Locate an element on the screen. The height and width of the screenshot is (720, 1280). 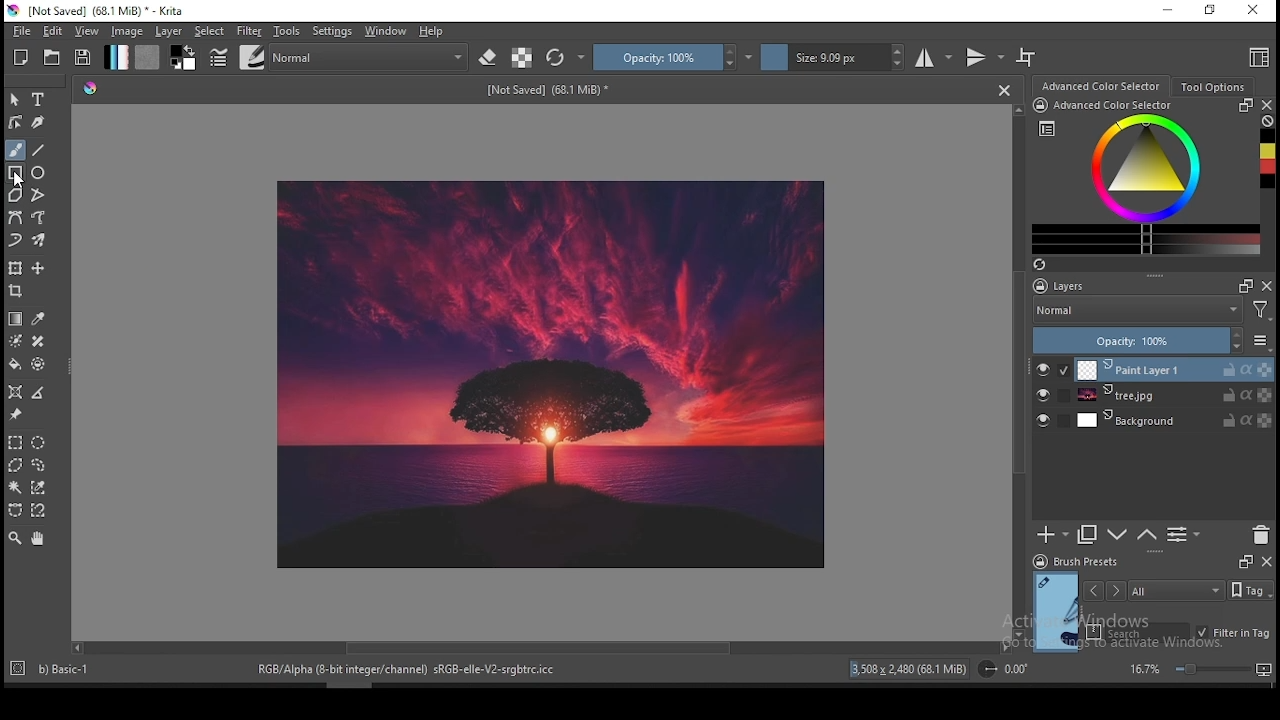
Frame is located at coordinates (1243, 285).